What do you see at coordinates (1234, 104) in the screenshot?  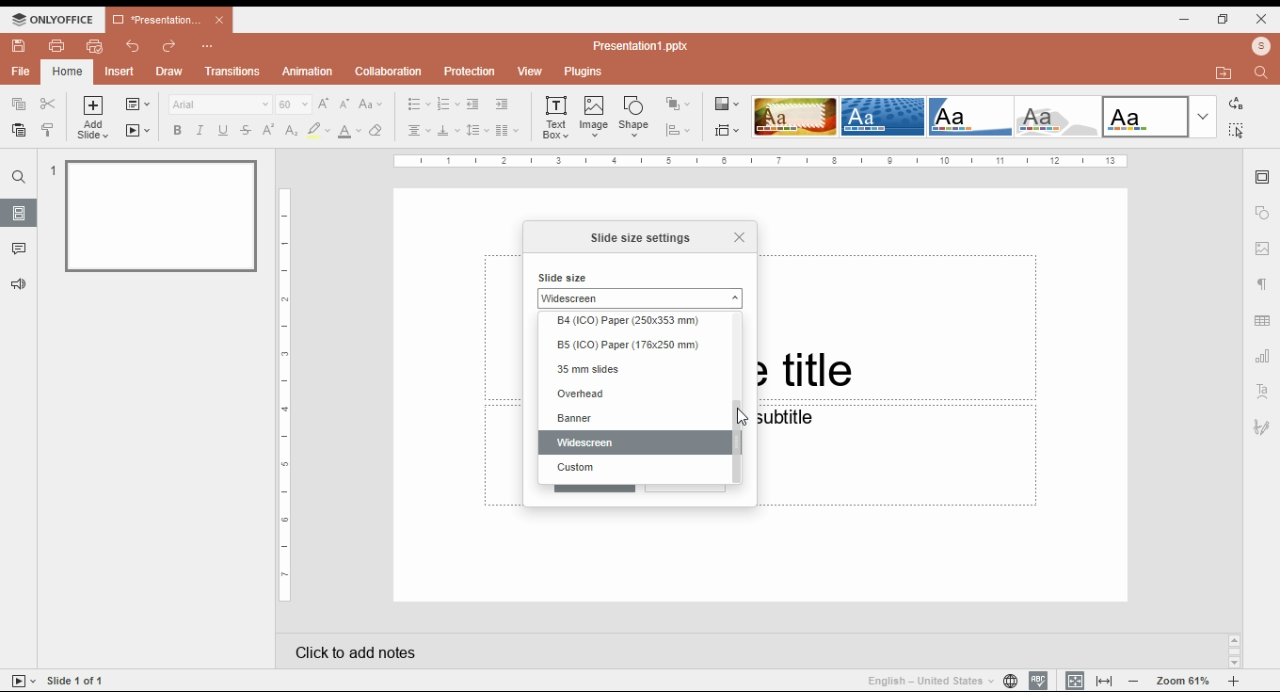 I see `replace` at bounding box center [1234, 104].